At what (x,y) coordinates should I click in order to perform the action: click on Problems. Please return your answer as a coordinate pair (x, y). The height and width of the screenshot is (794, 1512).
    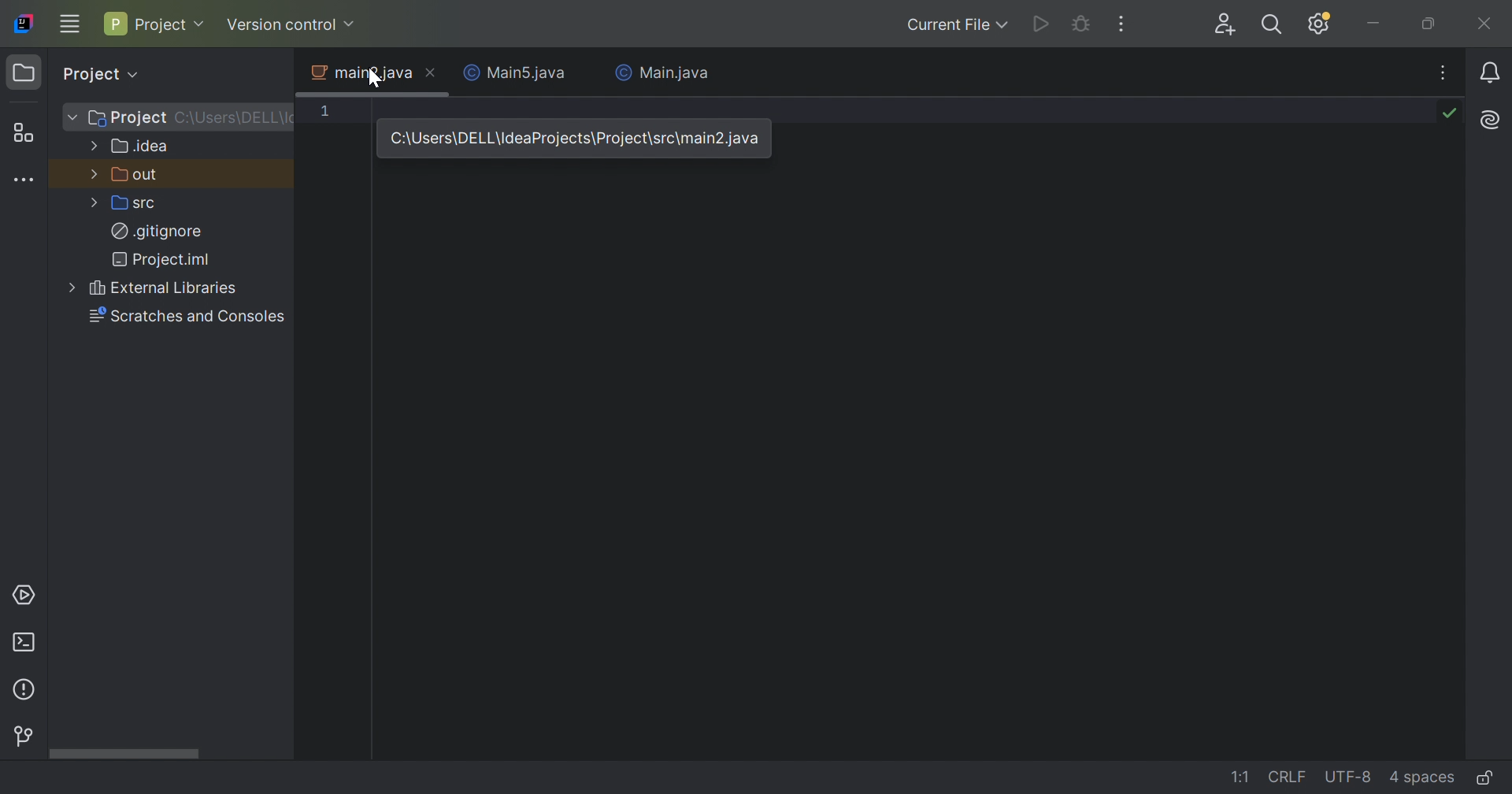
    Looking at the image, I should click on (24, 691).